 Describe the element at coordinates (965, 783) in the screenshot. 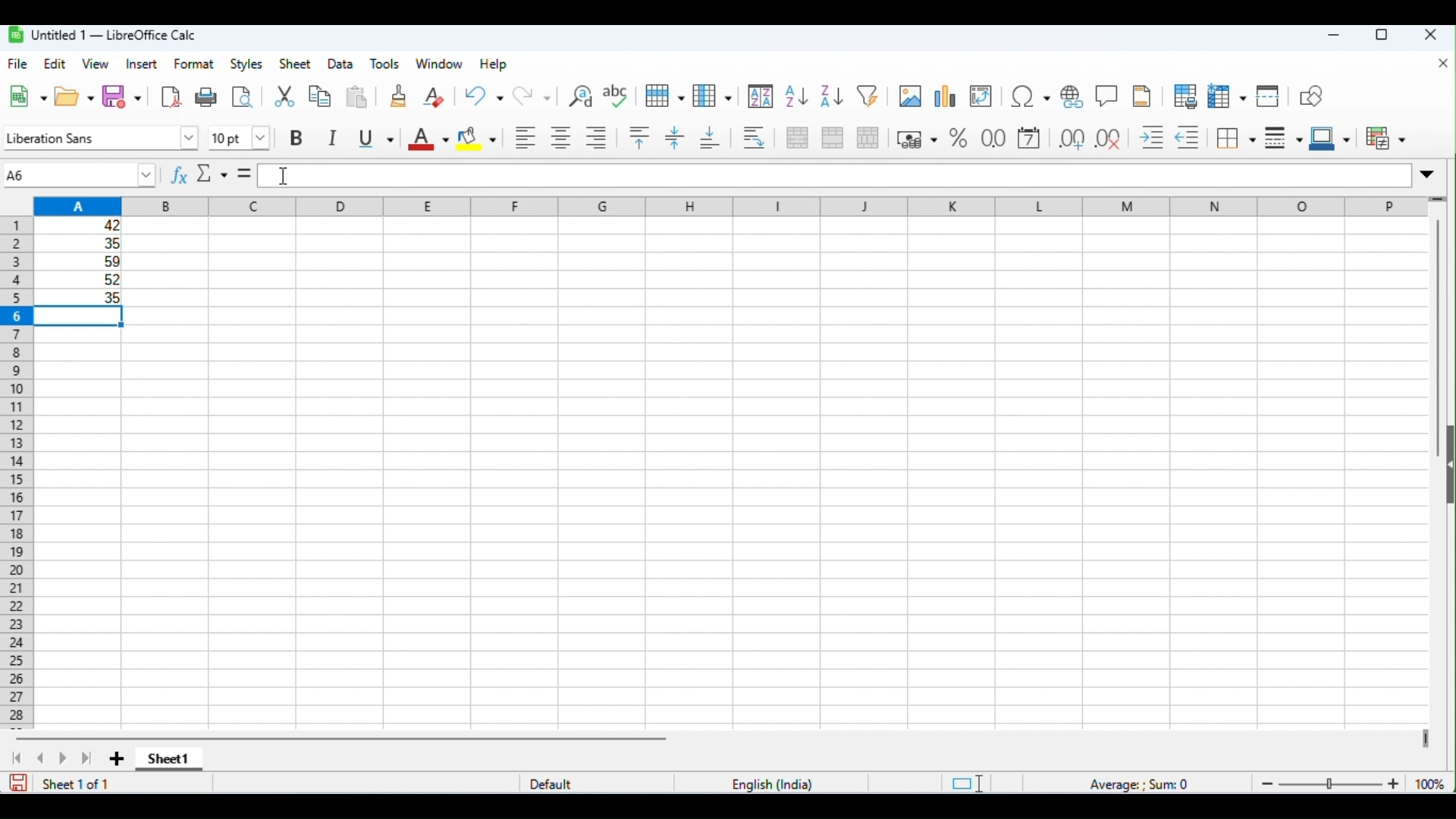

I see `standard selection` at that location.